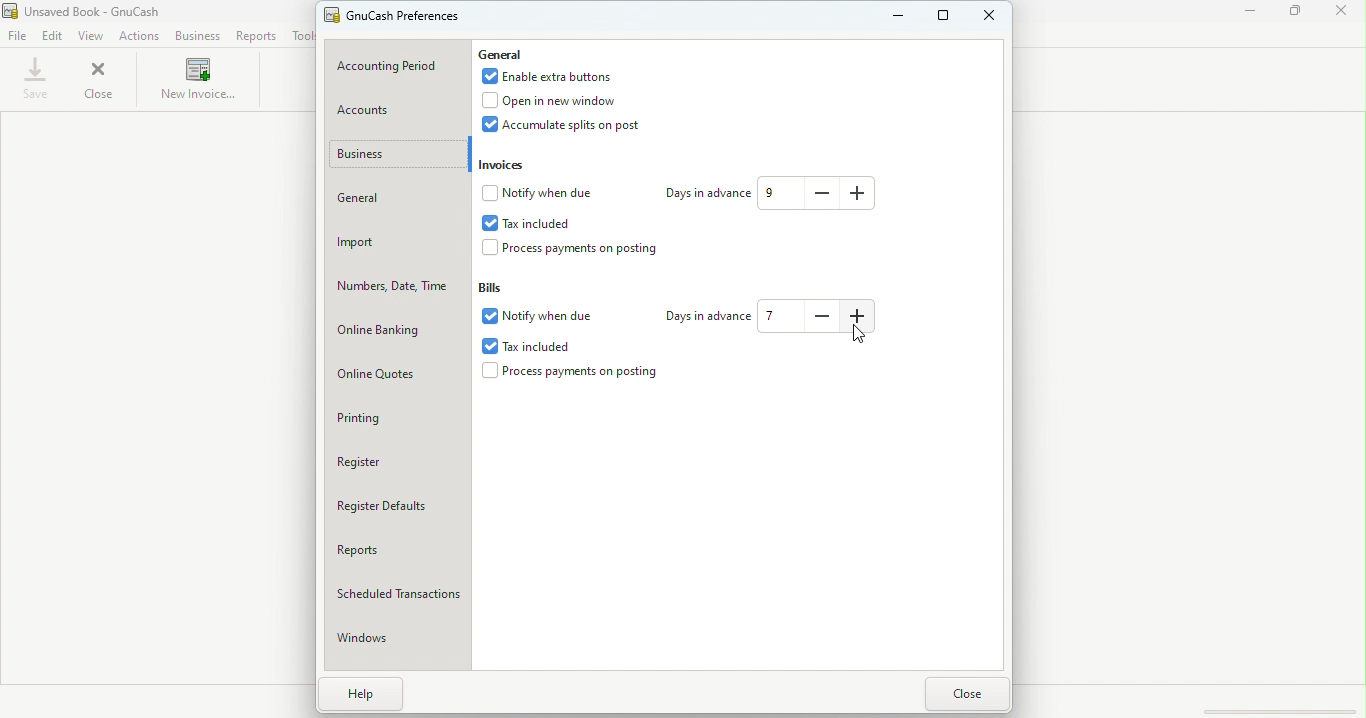 Image resolution: width=1366 pixels, height=718 pixels. I want to click on Save, so click(36, 79).